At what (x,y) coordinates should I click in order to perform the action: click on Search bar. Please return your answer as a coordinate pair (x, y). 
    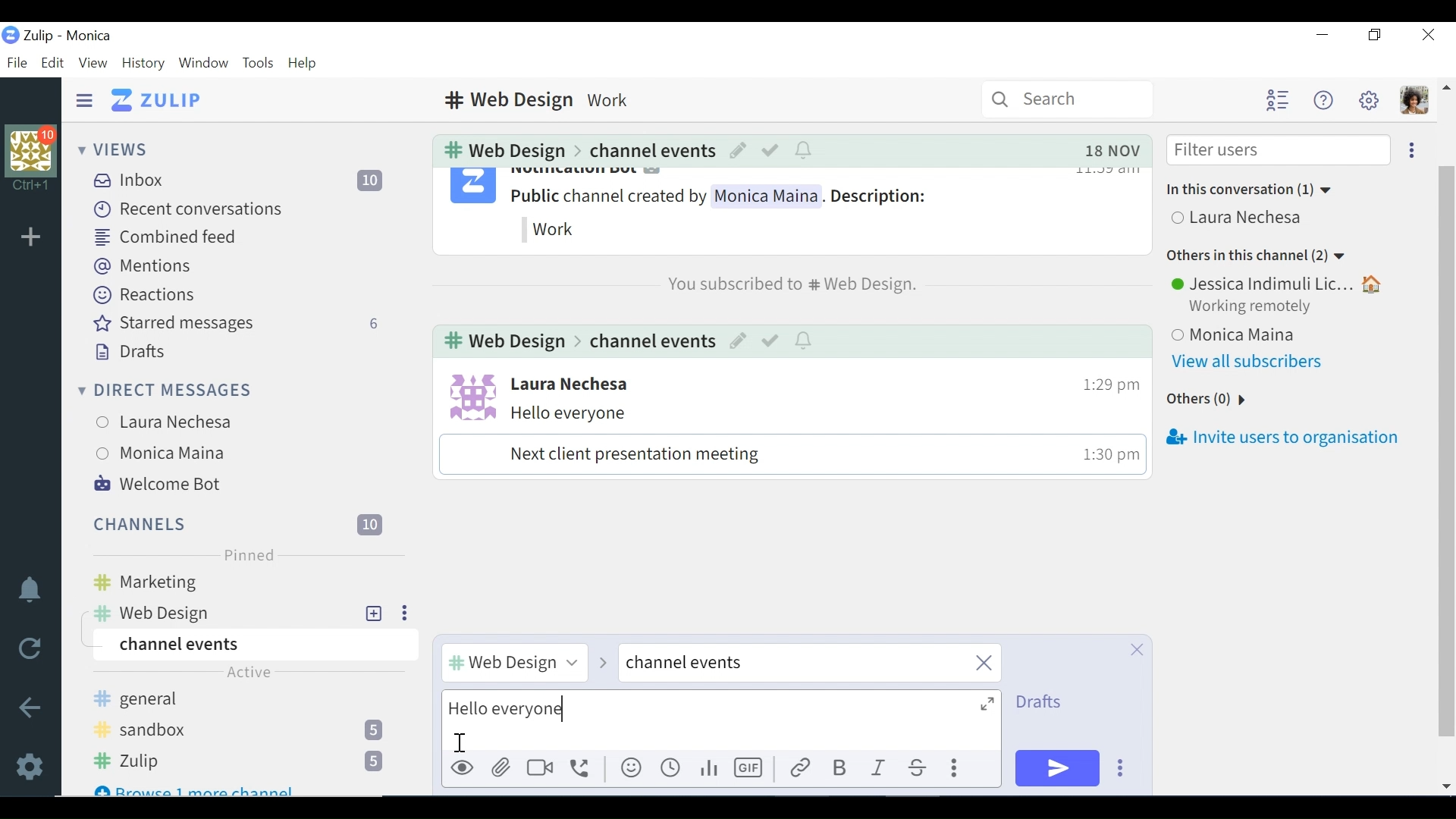
    Looking at the image, I should click on (1068, 99).